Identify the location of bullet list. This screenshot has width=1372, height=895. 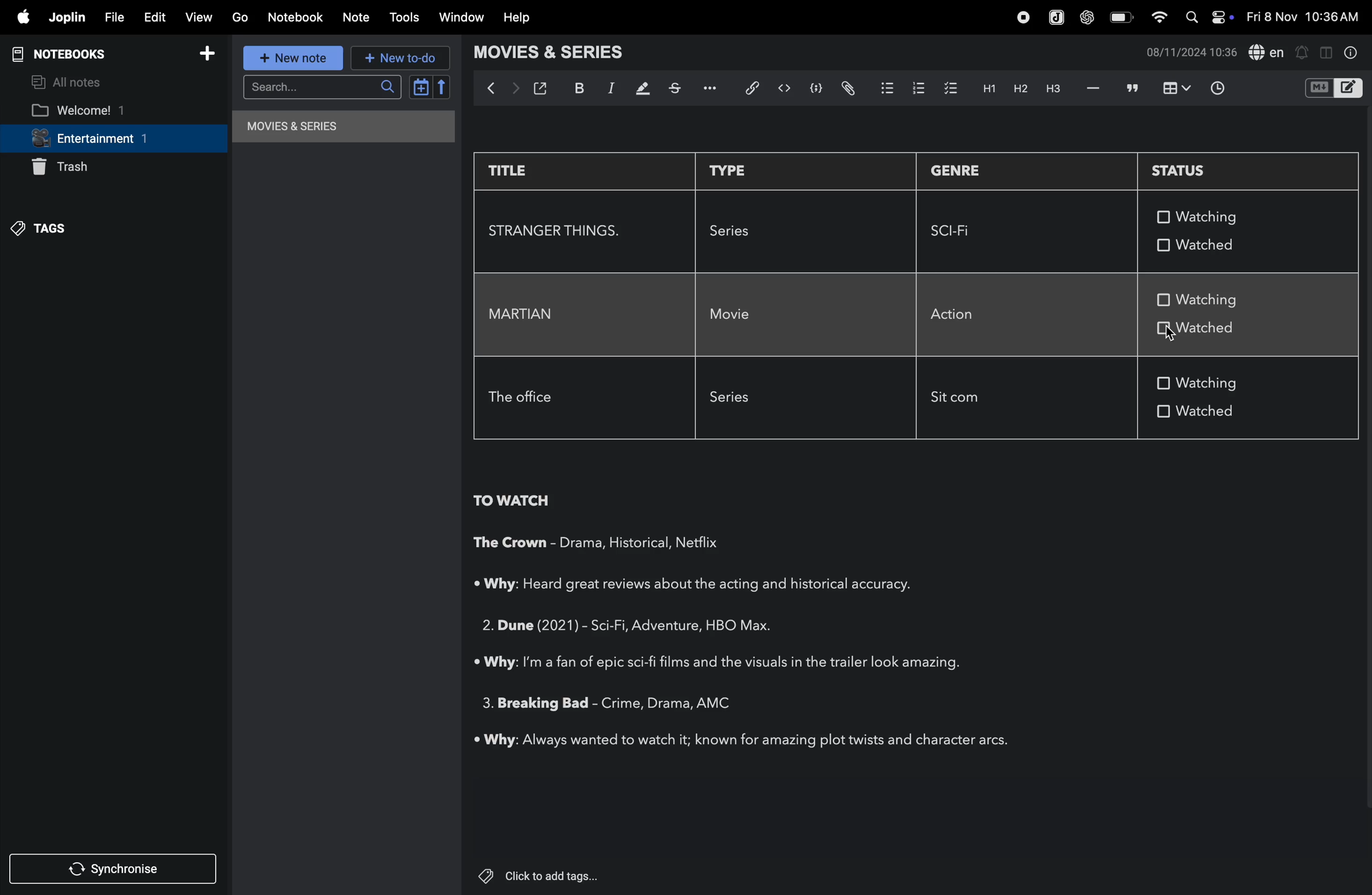
(882, 88).